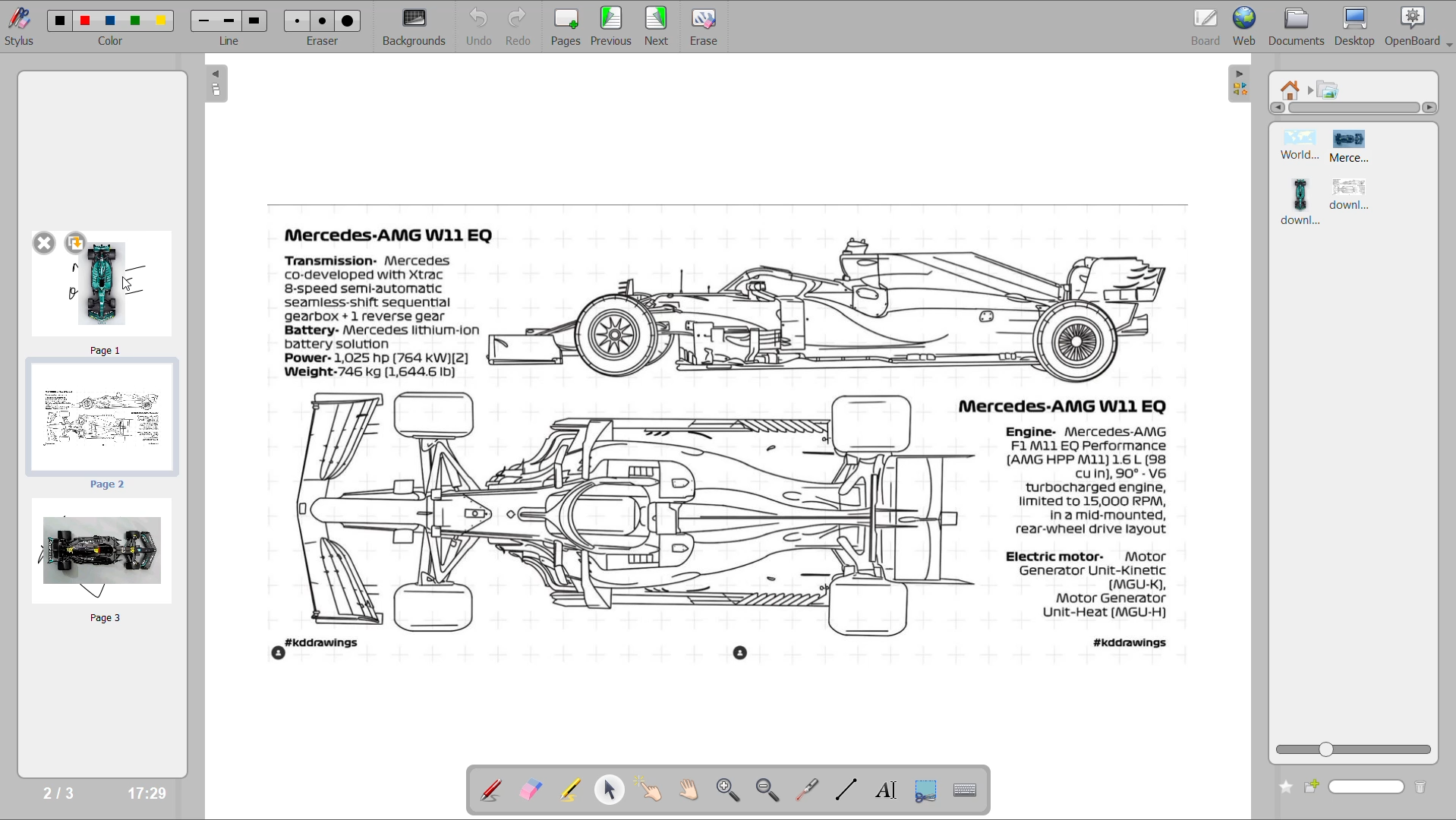 The width and height of the screenshot is (1456, 820). I want to click on annotate document, so click(486, 790).